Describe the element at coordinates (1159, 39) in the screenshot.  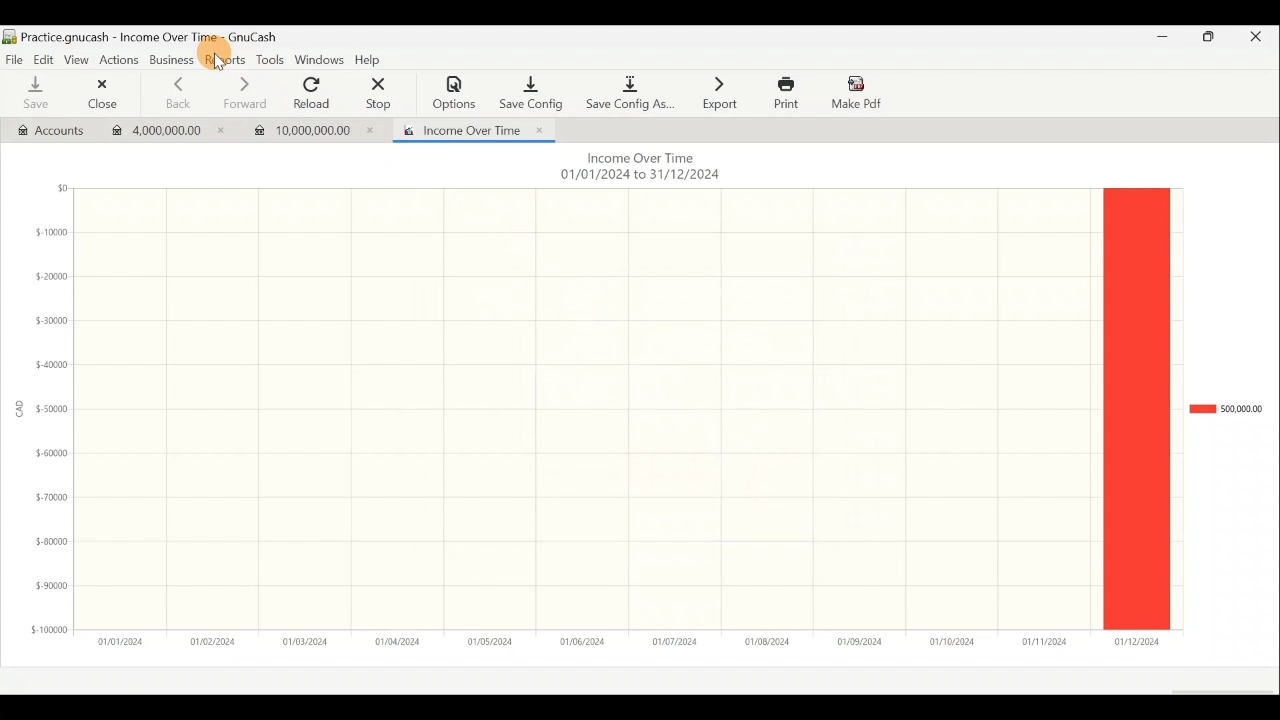
I see `Minimize` at that location.